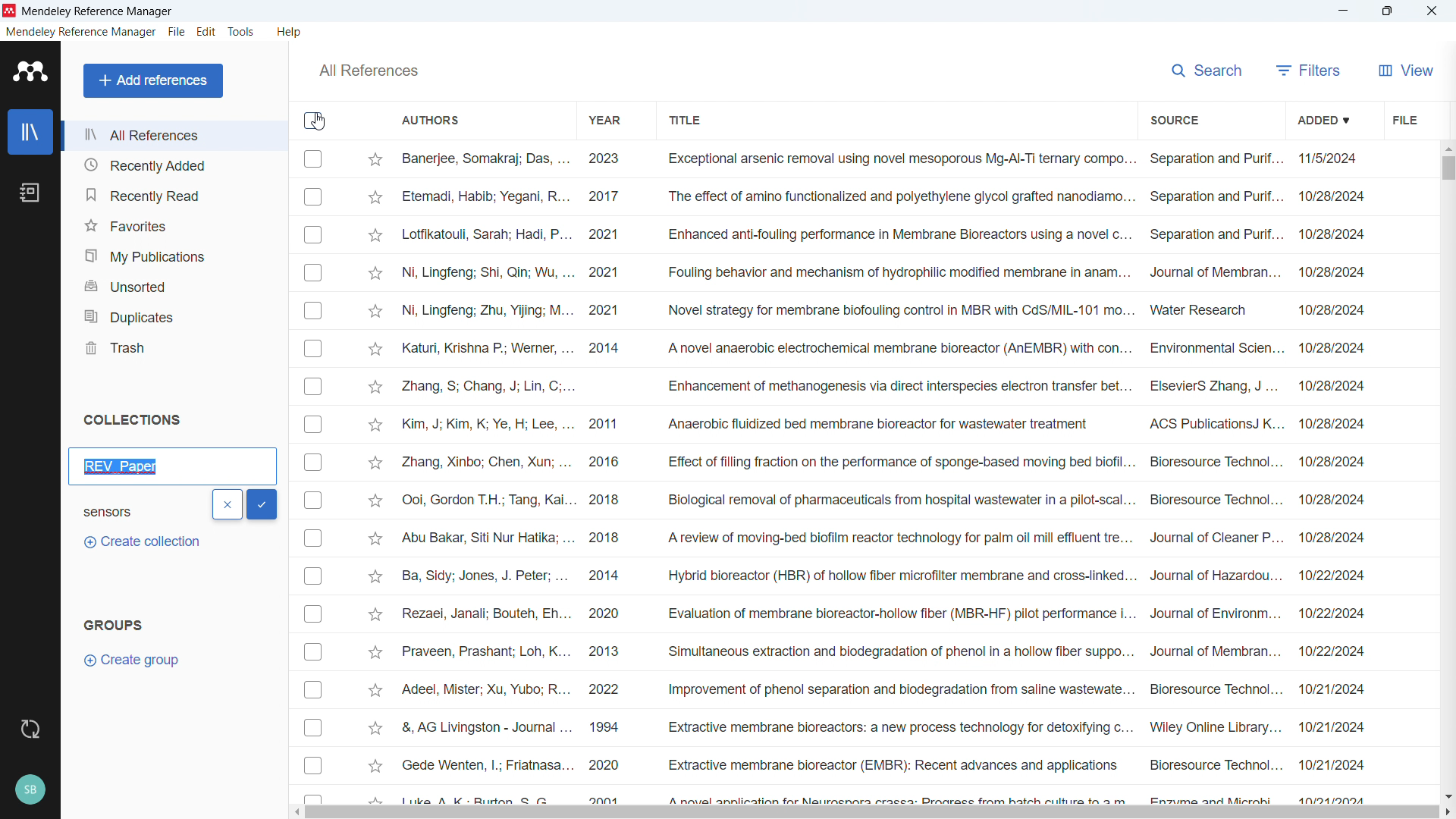 Image resolution: width=1456 pixels, height=819 pixels. What do you see at coordinates (607, 119) in the screenshot?
I see `Year` at bounding box center [607, 119].